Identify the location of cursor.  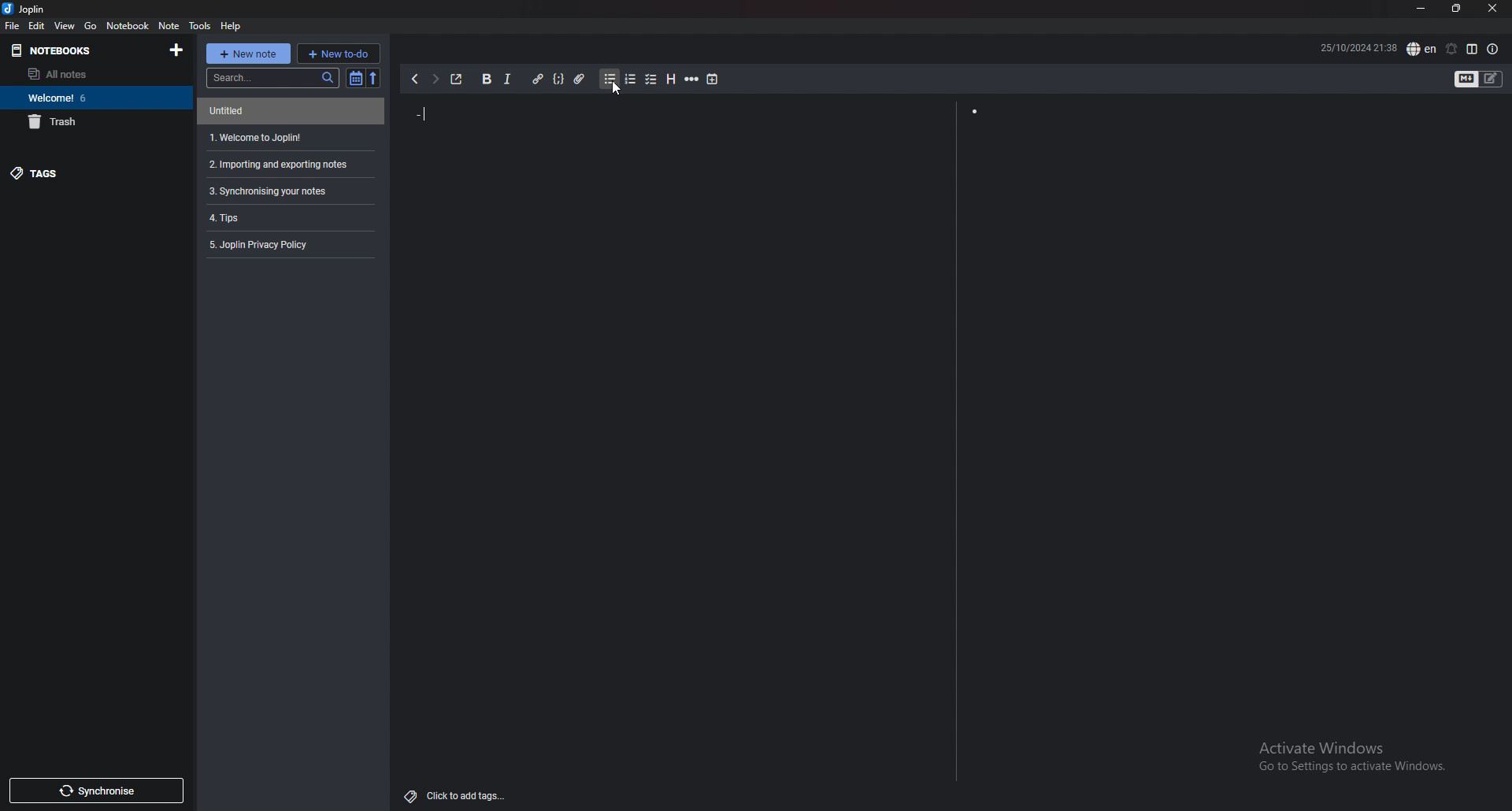
(616, 92).